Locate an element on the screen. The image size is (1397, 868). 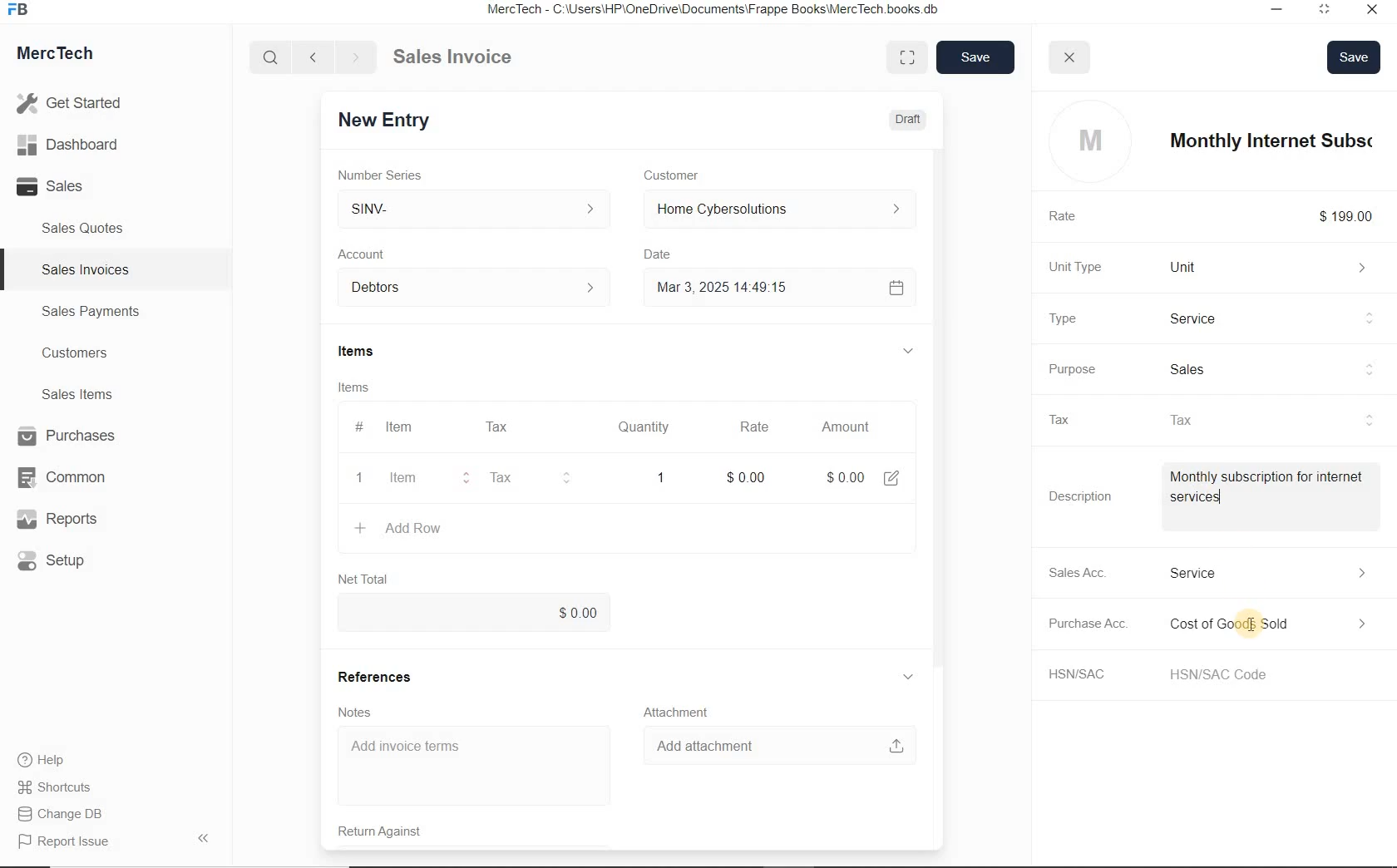
$0.00 is located at coordinates (475, 613).